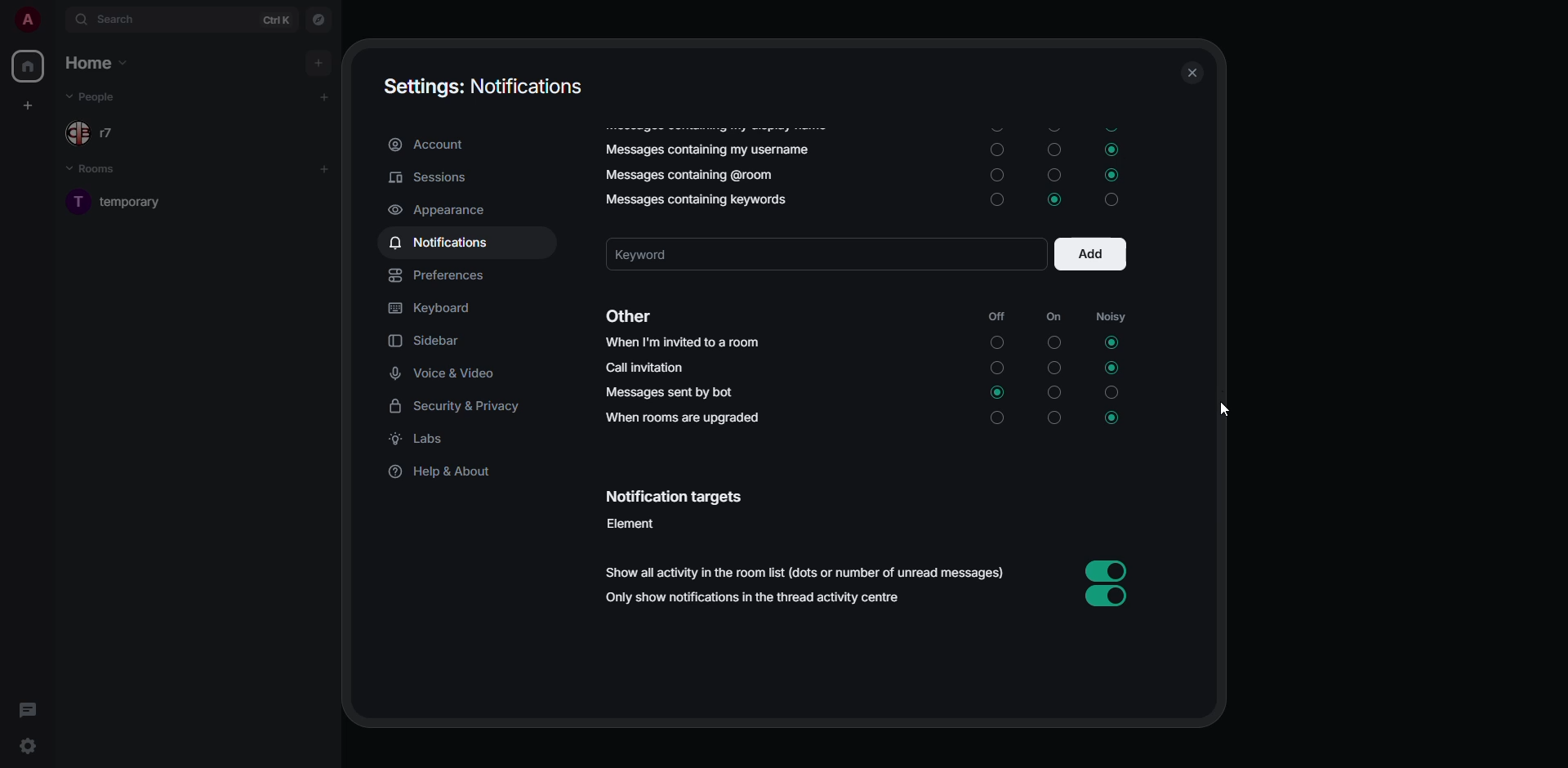  I want to click on off, so click(1054, 422).